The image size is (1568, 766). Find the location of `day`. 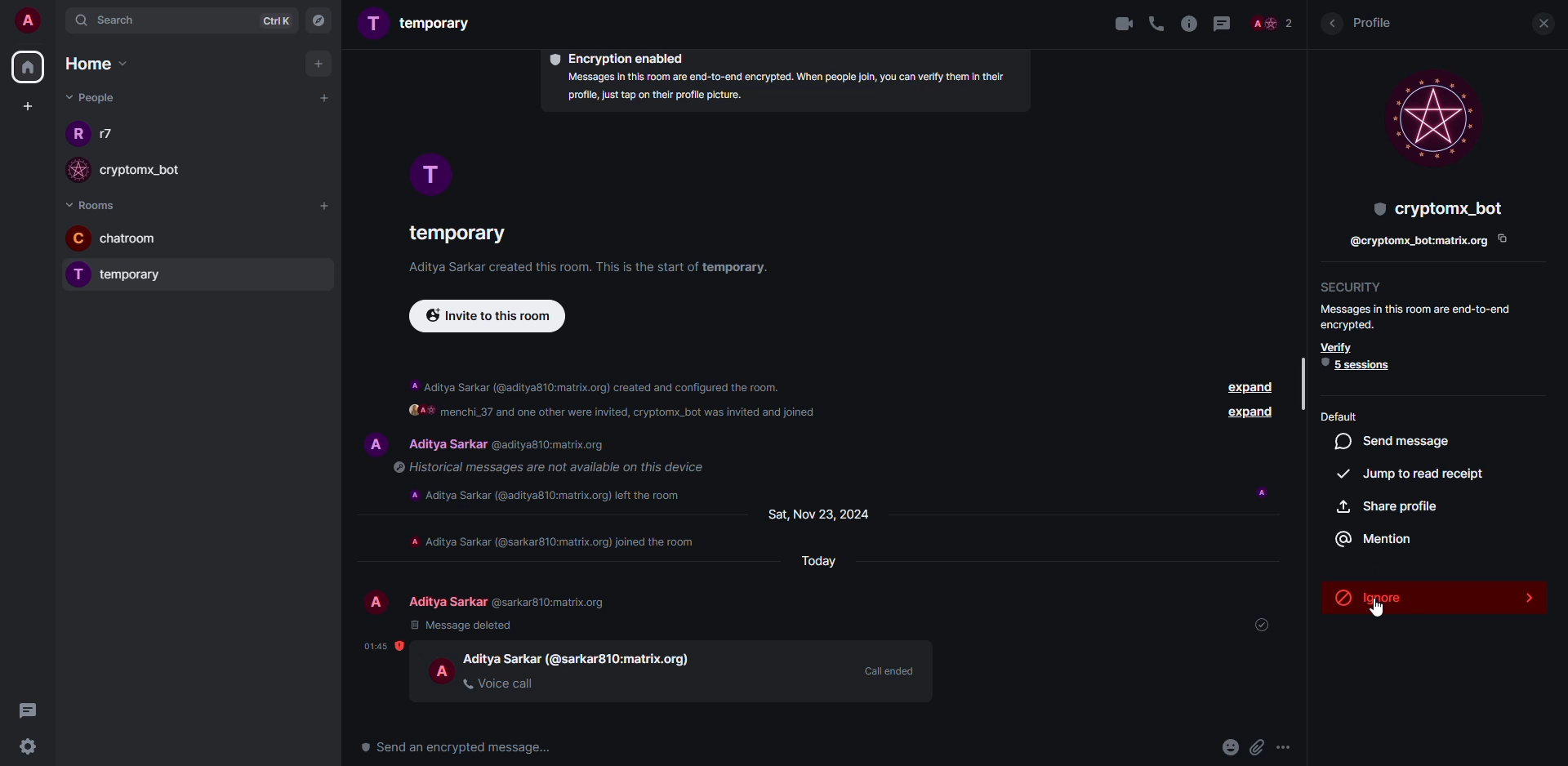

day is located at coordinates (813, 562).